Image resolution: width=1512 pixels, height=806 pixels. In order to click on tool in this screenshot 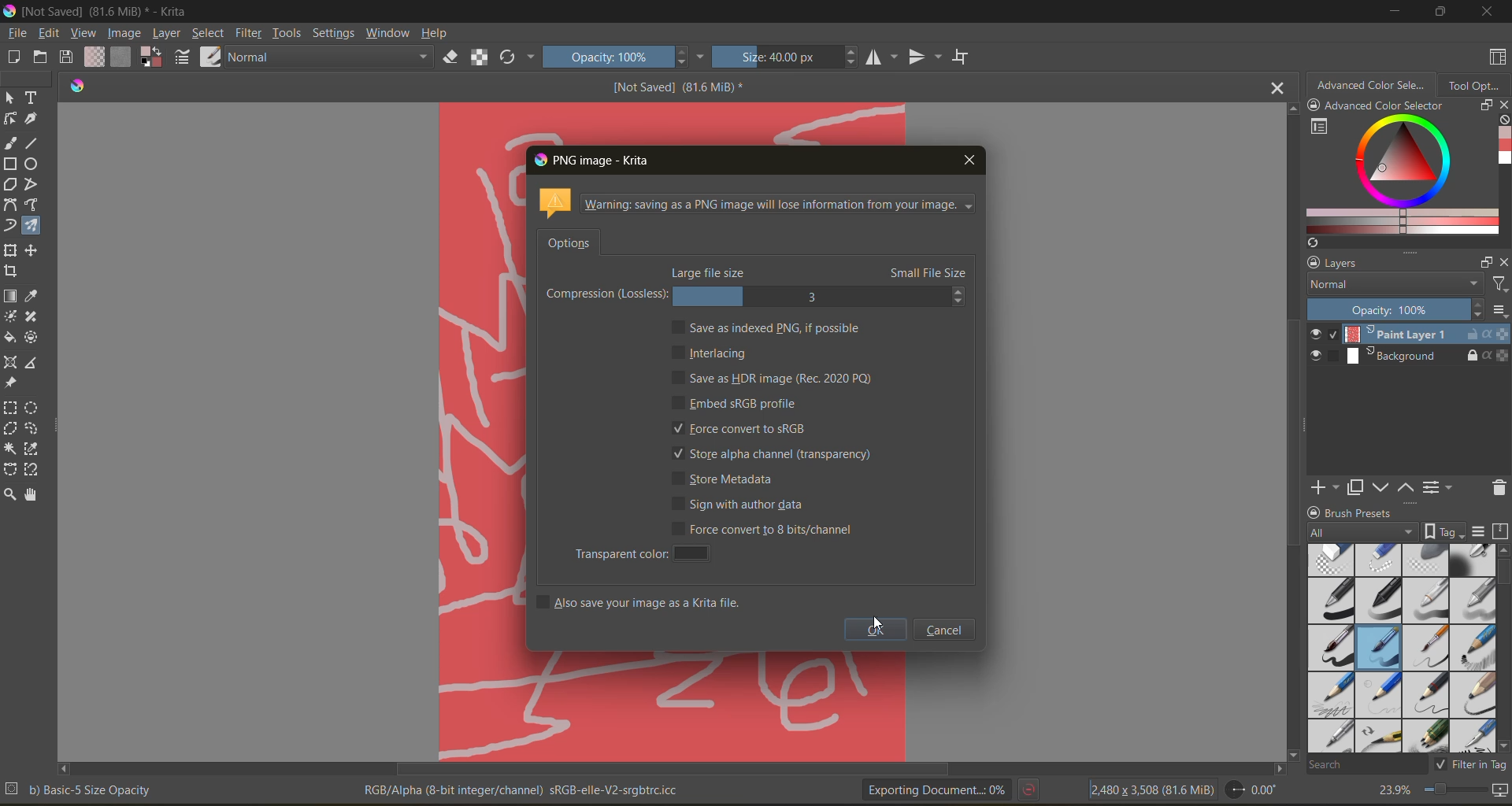, I will do `click(9, 142)`.